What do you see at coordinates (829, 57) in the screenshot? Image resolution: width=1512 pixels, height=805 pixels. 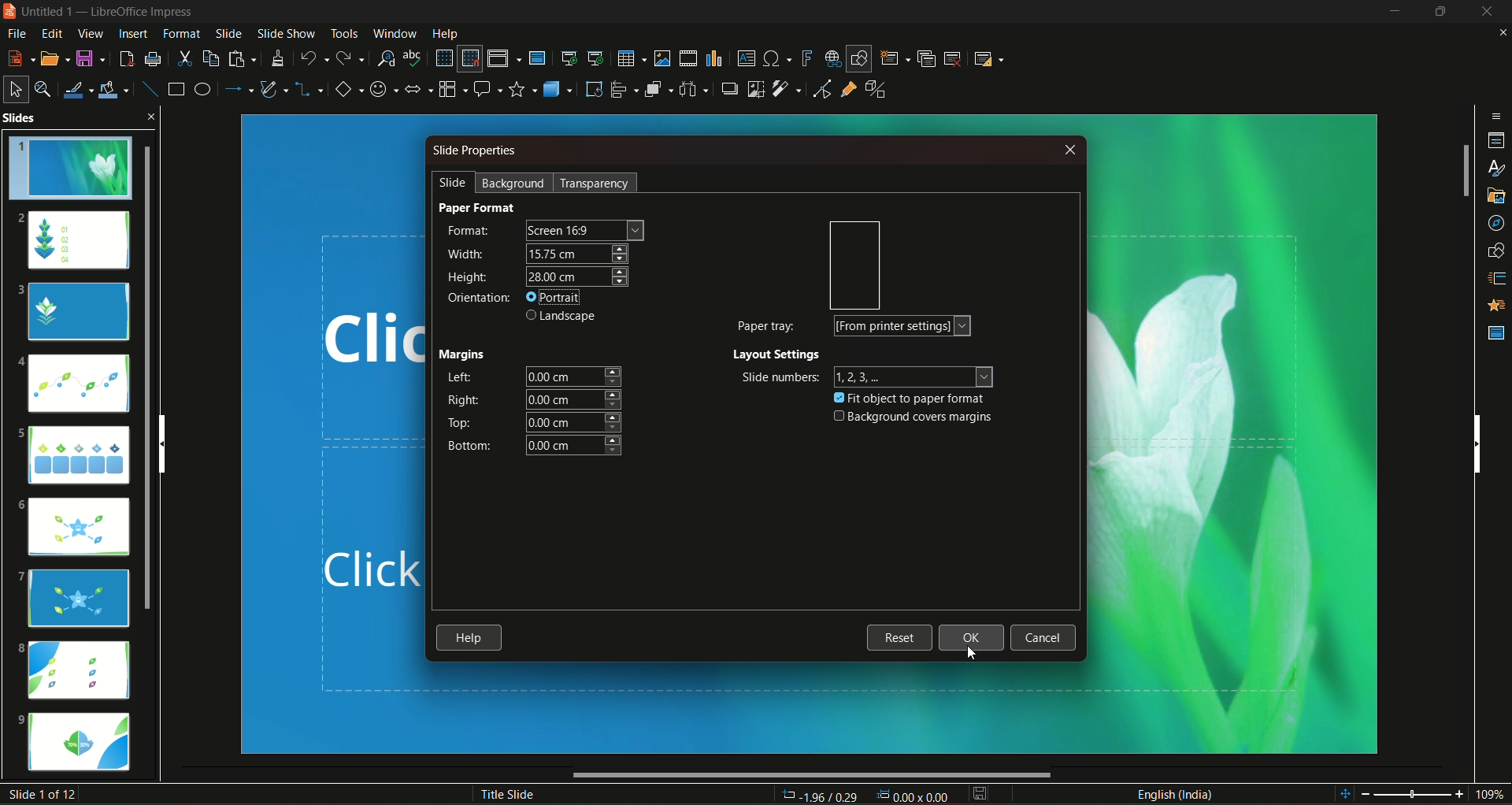 I see `insert hyperlink` at bounding box center [829, 57].